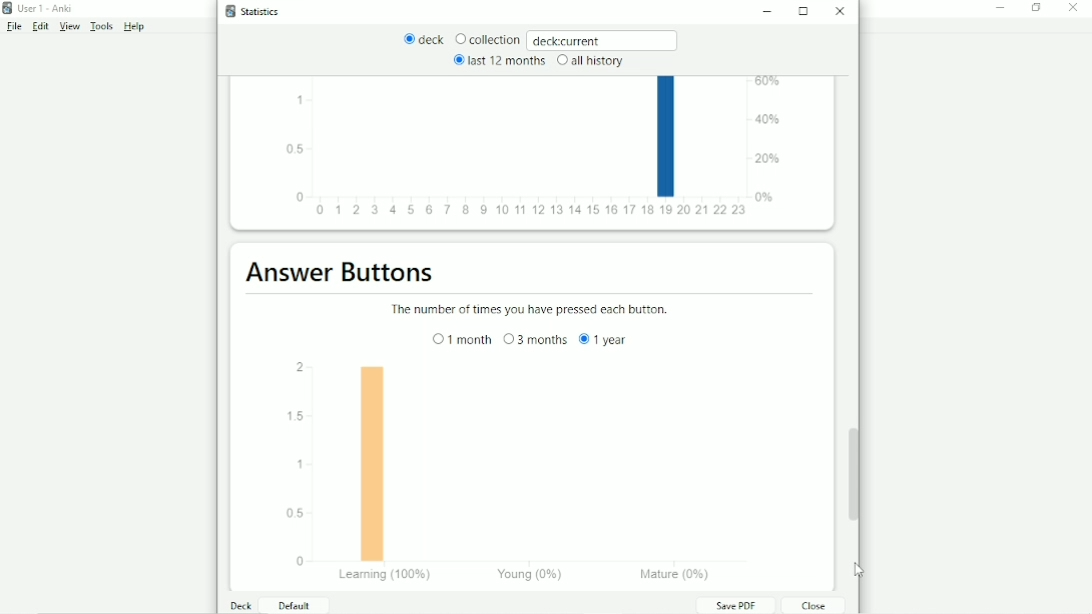 The width and height of the screenshot is (1092, 614). What do you see at coordinates (1037, 8) in the screenshot?
I see `Restore down` at bounding box center [1037, 8].